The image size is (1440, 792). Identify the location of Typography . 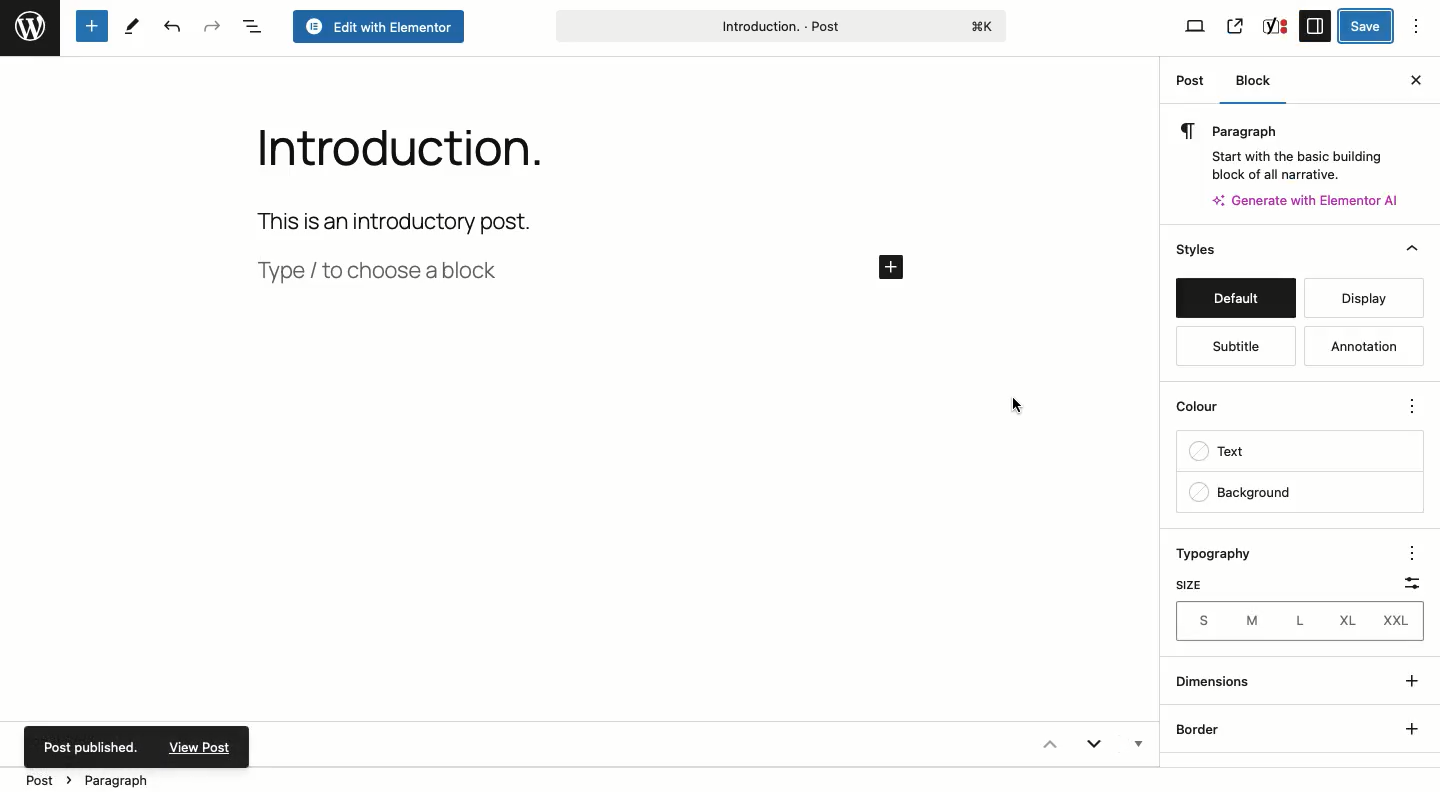
(1223, 555).